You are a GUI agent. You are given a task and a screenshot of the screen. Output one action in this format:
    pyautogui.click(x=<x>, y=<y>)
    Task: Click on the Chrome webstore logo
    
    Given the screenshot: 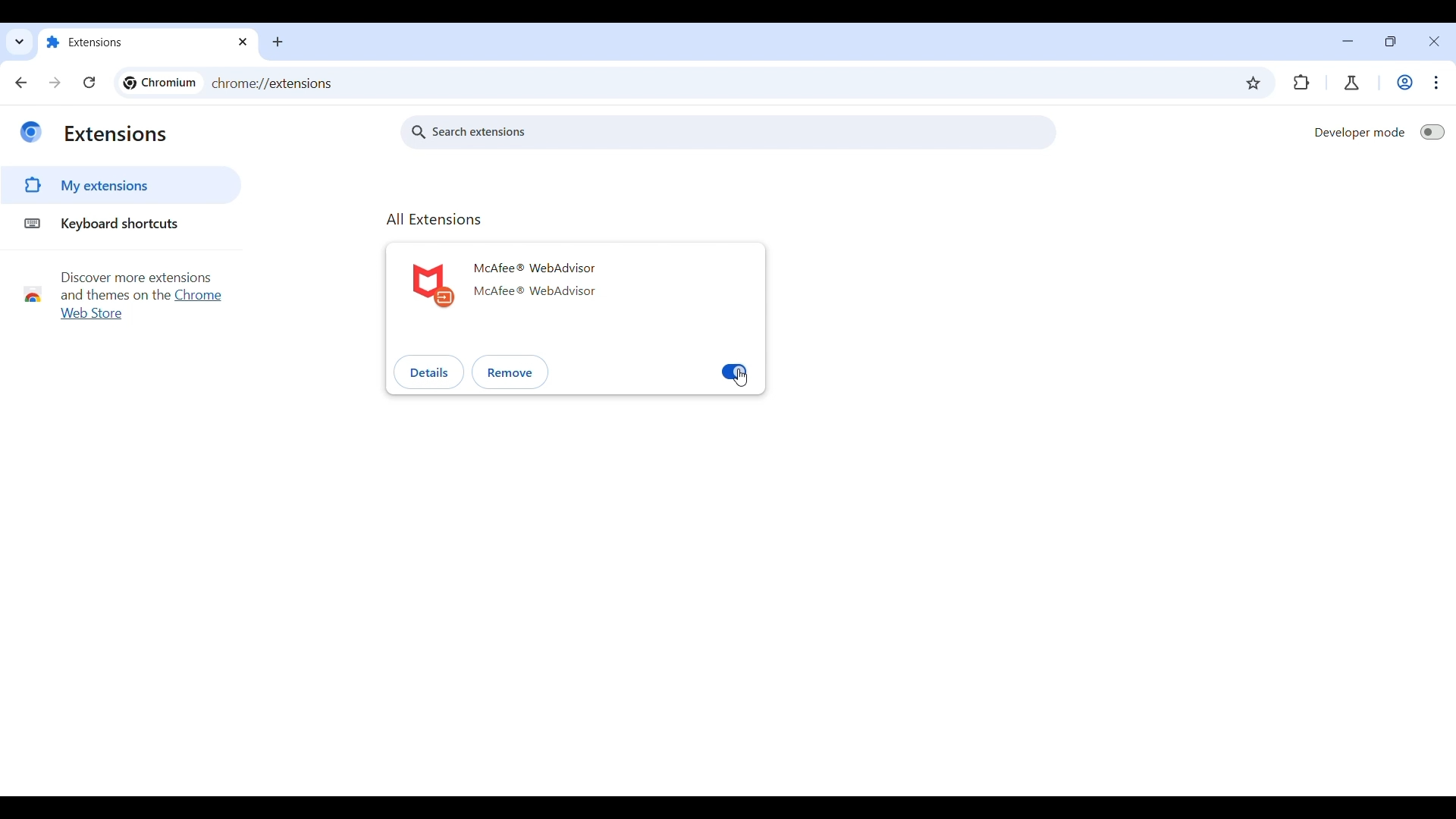 What is the action you would take?
    pyautogui.click(x=32, y=294)
    